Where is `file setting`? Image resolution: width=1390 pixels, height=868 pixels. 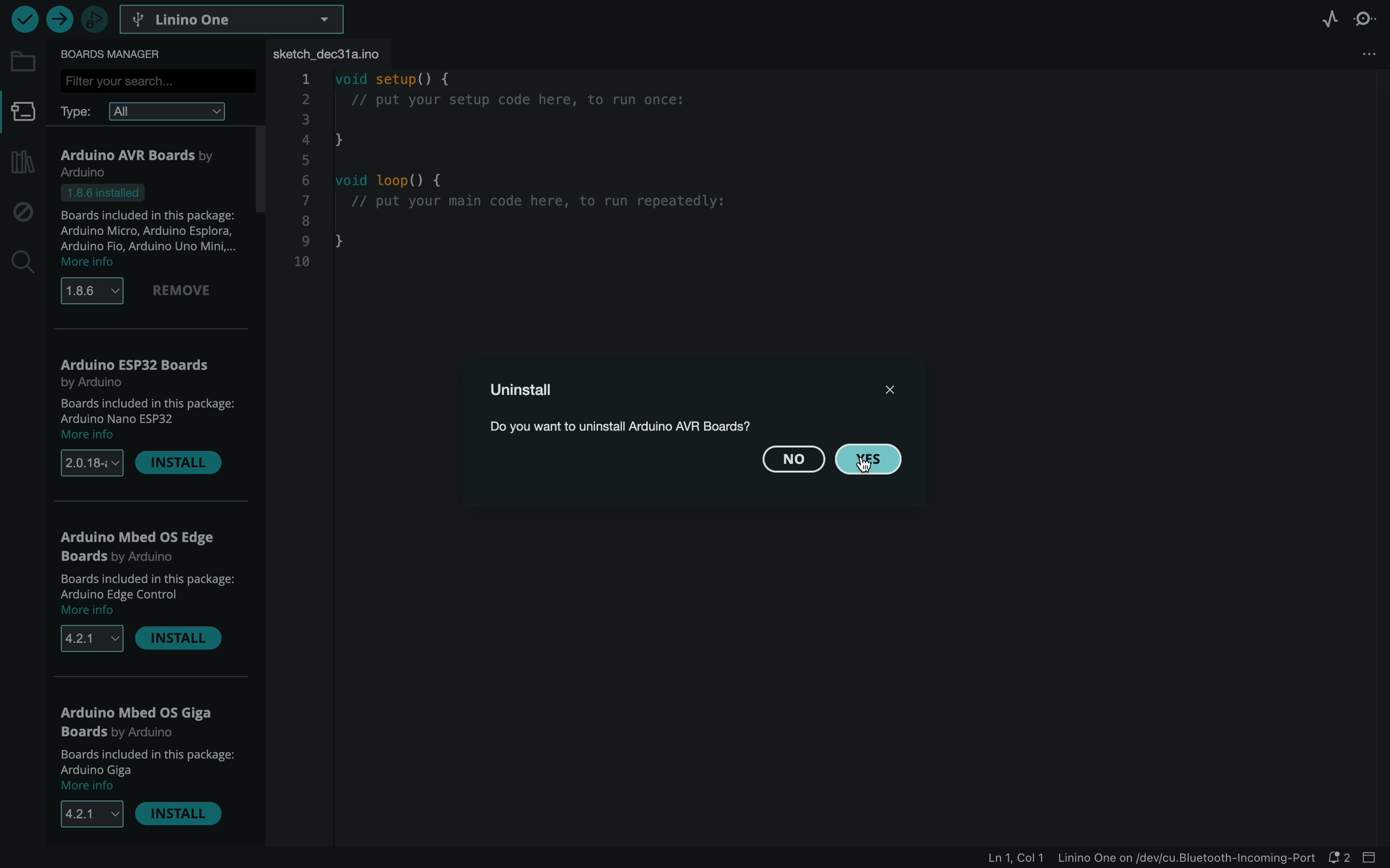 file setting is located at coordinates (1357, 54).